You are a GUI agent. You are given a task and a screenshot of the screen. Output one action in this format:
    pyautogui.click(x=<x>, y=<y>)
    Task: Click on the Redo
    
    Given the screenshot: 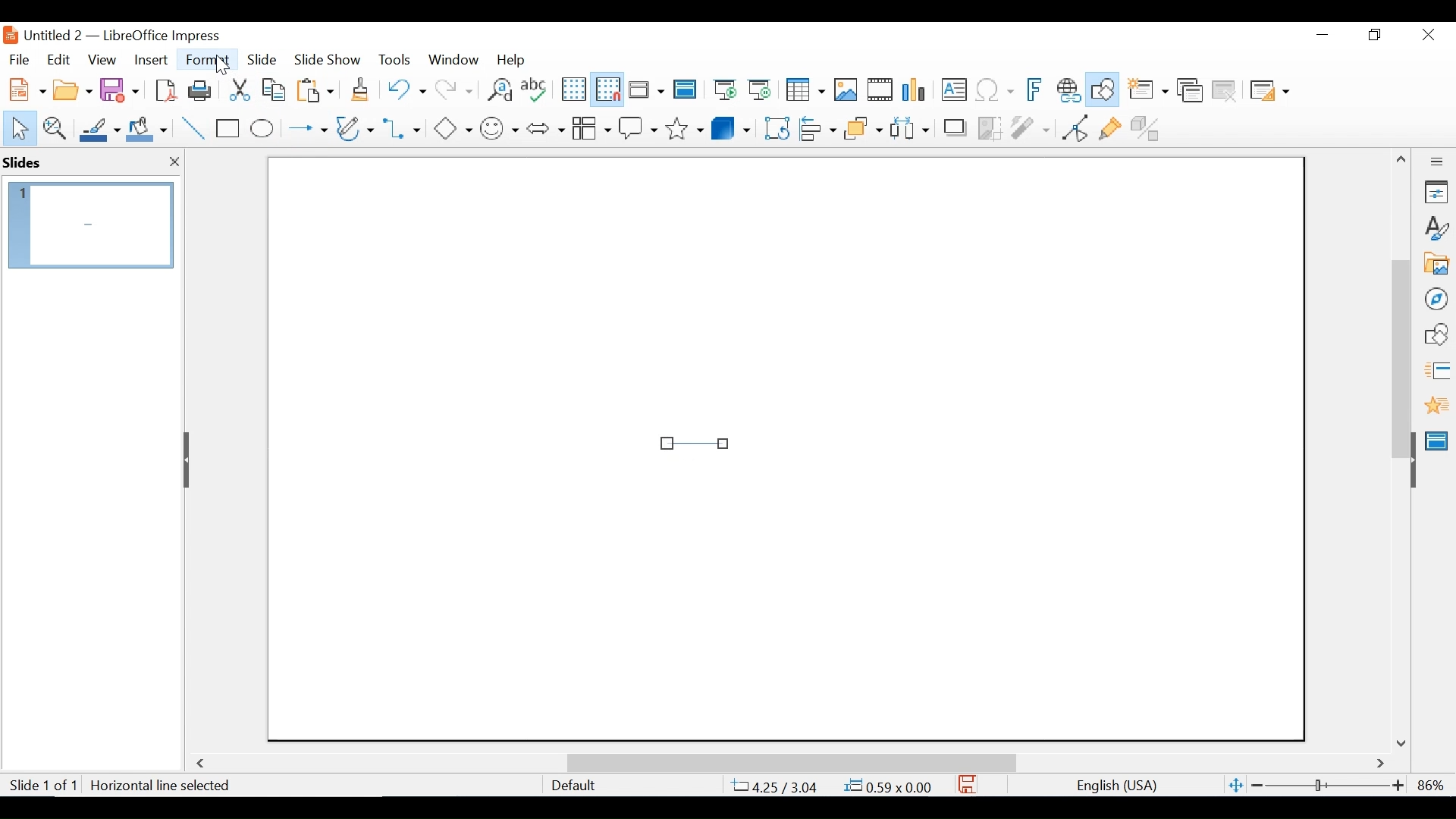 What is the action you would take?
    pyautogui.click(x=452, y=88)
    